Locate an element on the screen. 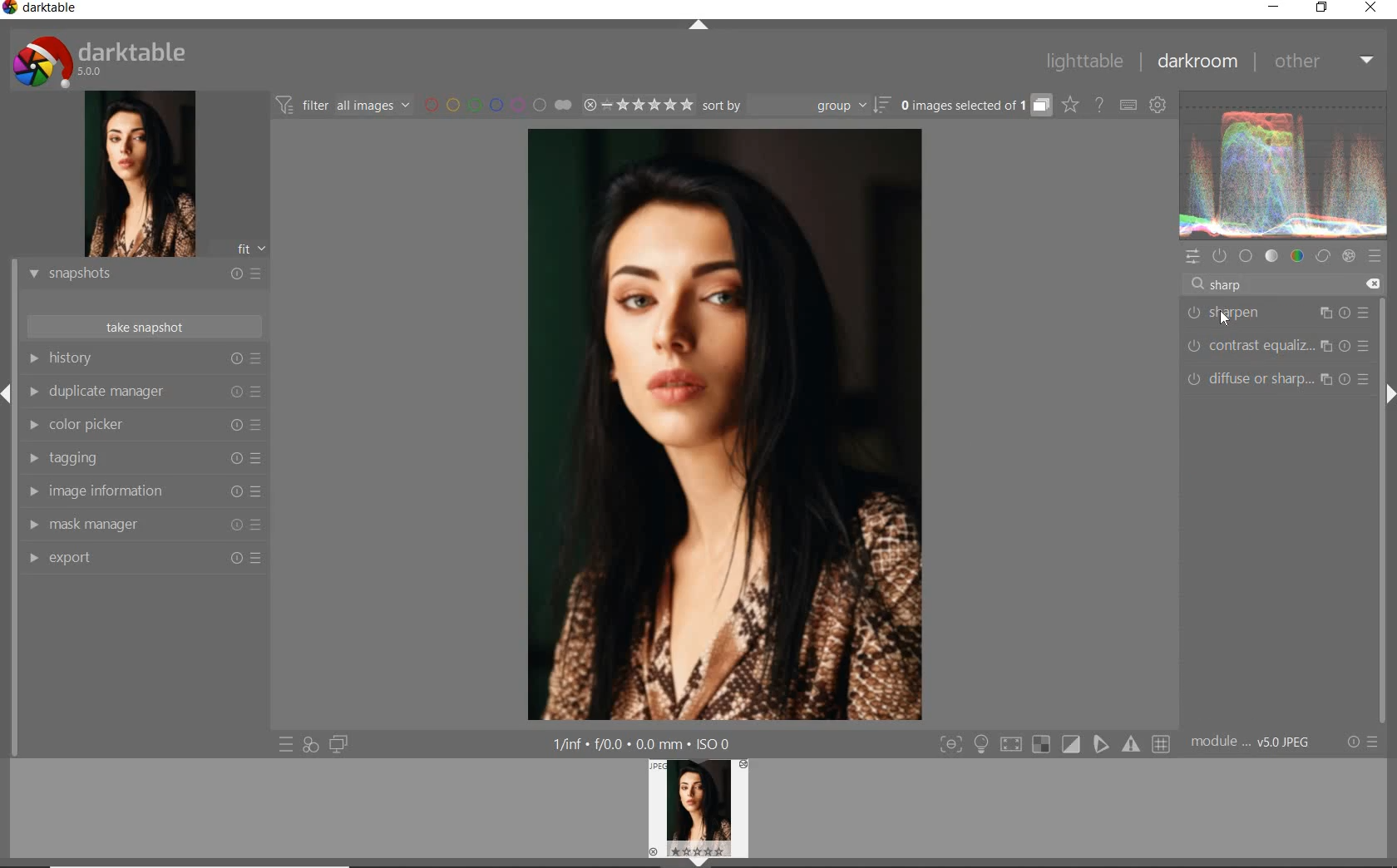 This screenshot has width=1397, height=868. range ratings for selected images is located at coordinates (623, 106).